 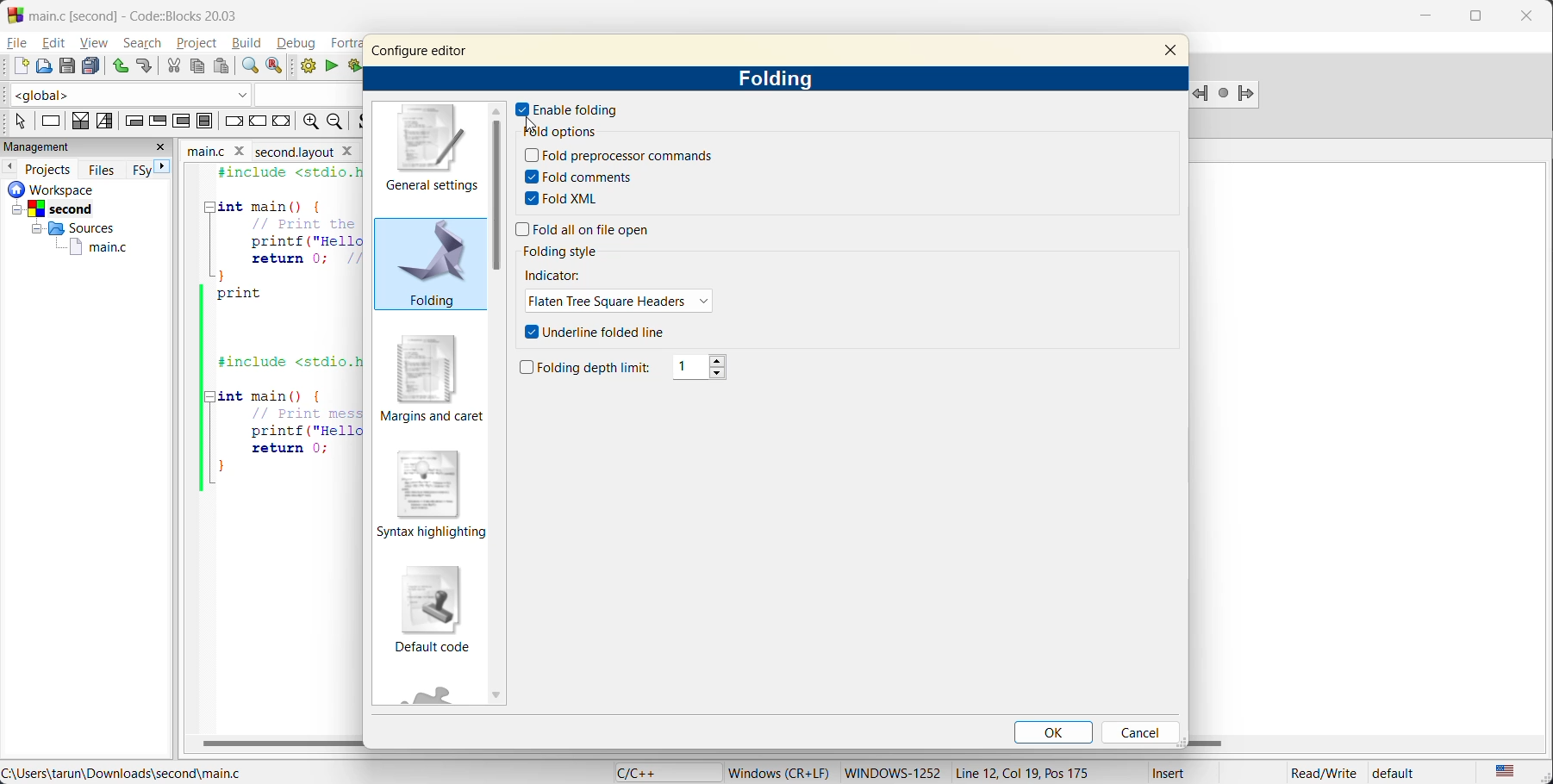 I want to click on build and run, so click(x=352, y=66).